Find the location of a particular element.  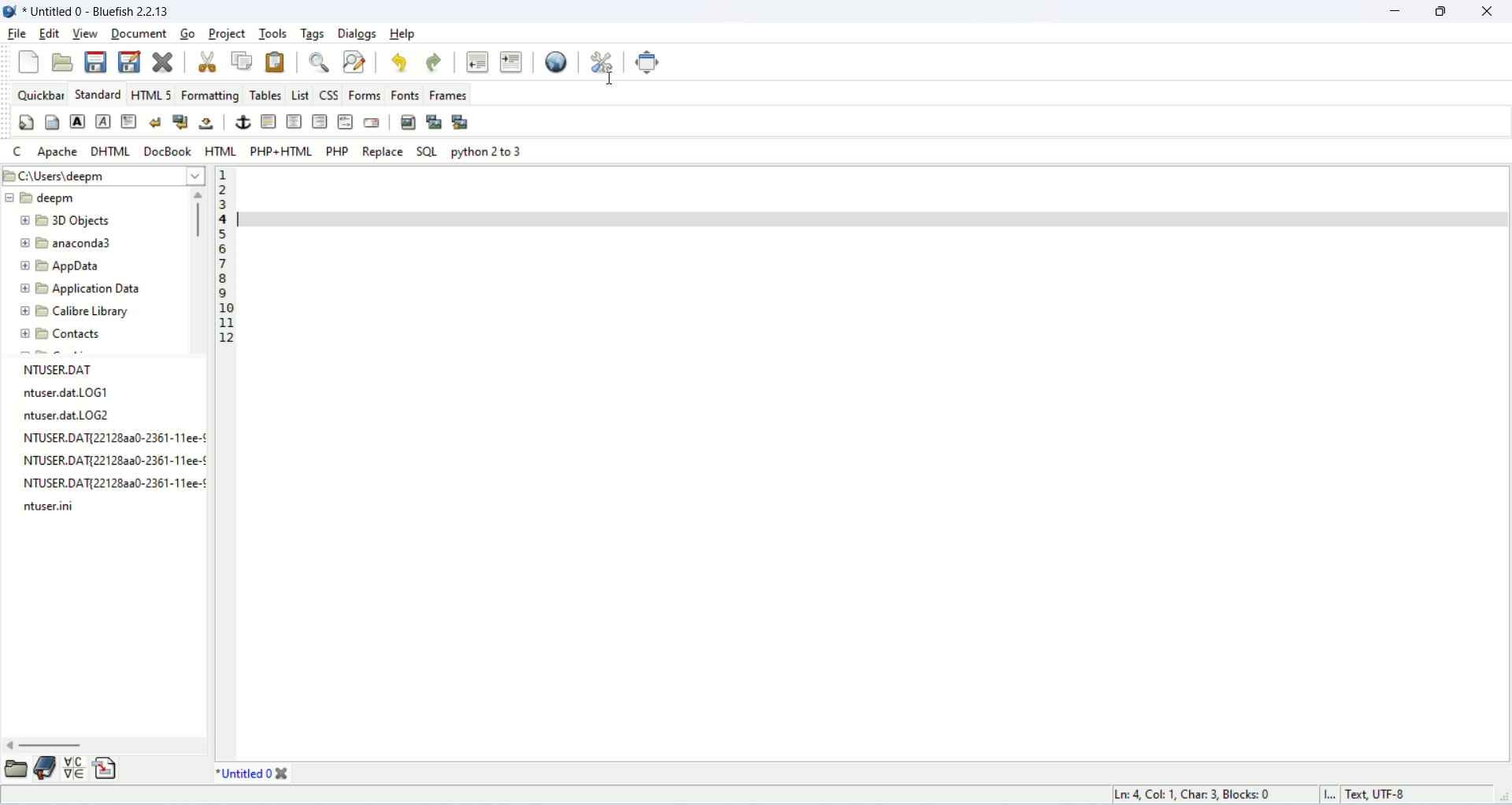

center is located at coordinates (295, 121).